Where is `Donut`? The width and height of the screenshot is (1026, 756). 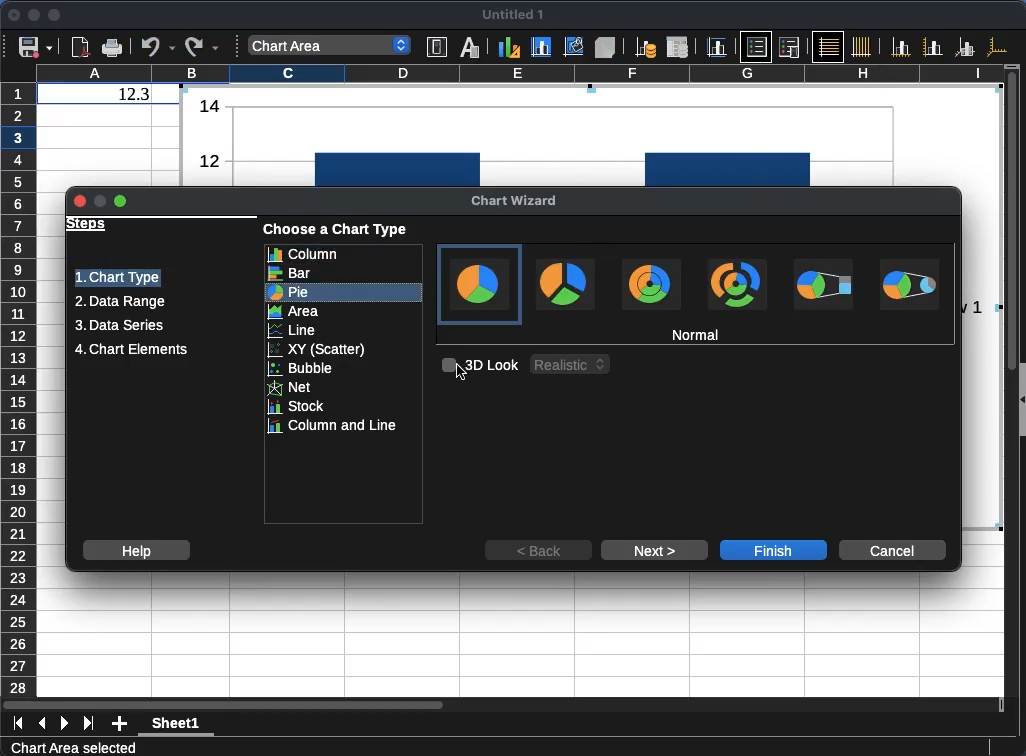 Donut is located at coordinates (651, 284).